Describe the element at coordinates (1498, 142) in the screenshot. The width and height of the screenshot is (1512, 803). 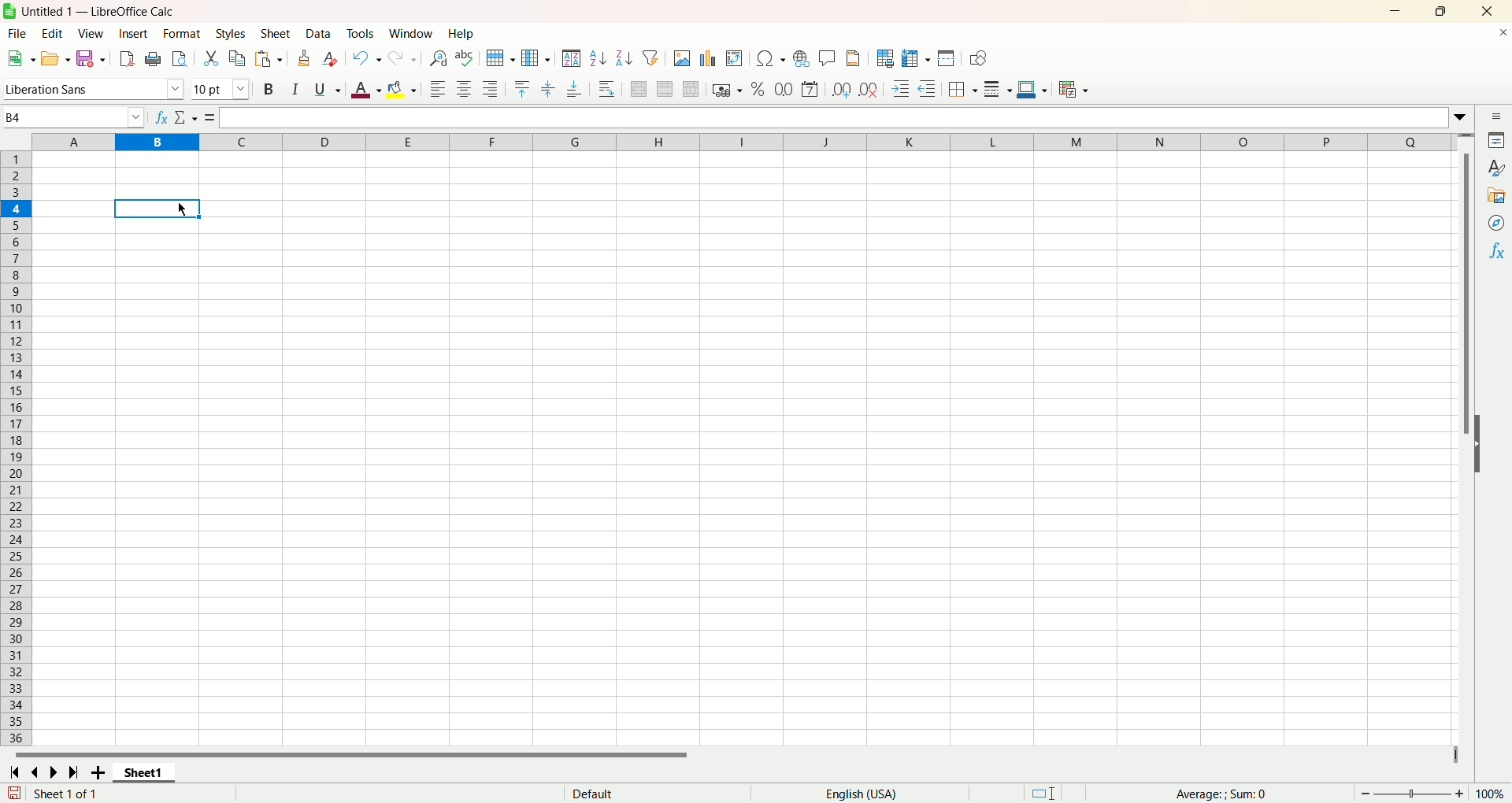
I see `properties` at that location.